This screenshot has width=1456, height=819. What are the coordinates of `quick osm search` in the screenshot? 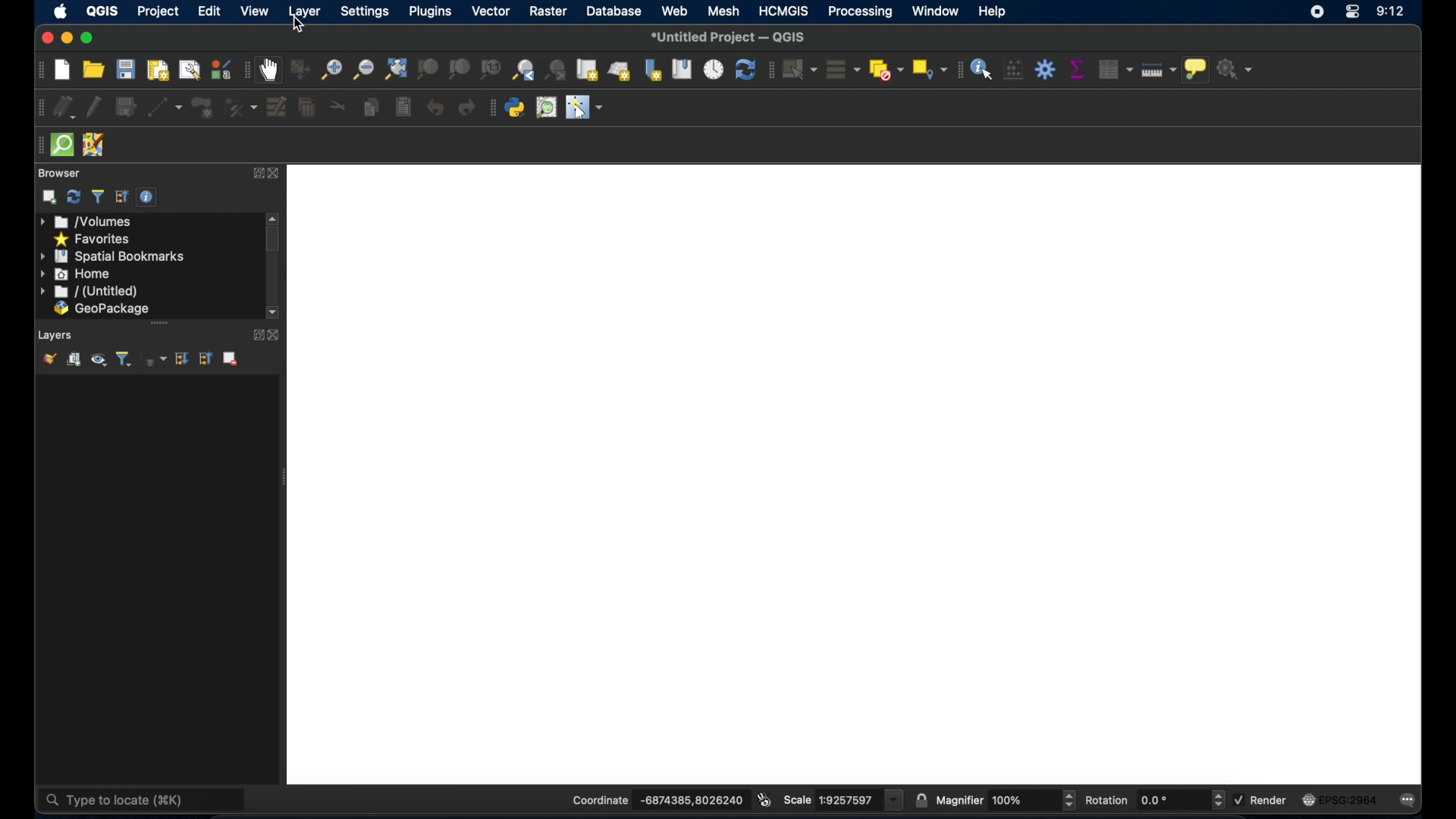 It's located at (548, 108).